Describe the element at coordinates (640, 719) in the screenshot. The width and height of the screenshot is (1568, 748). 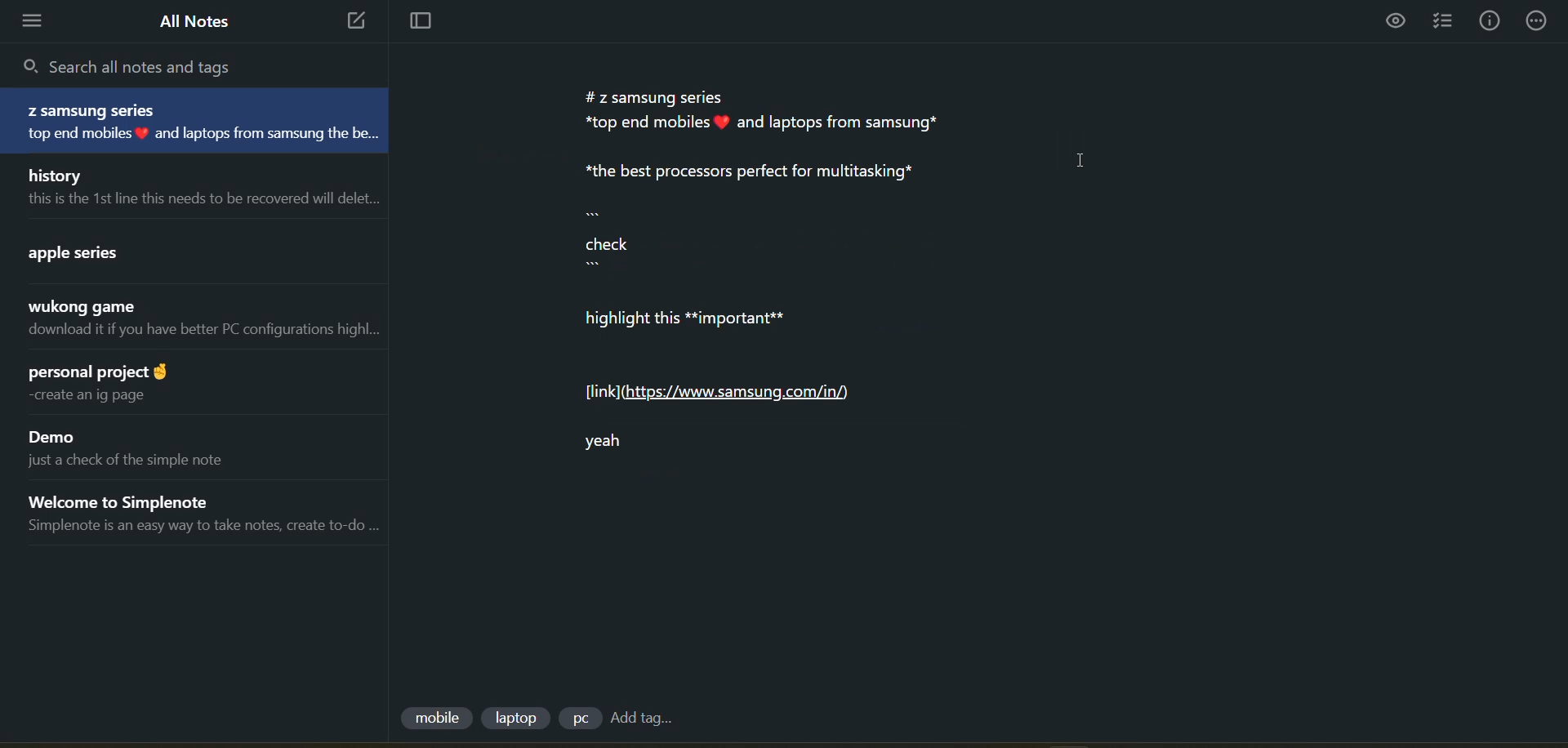
I see `add tag` at that location.